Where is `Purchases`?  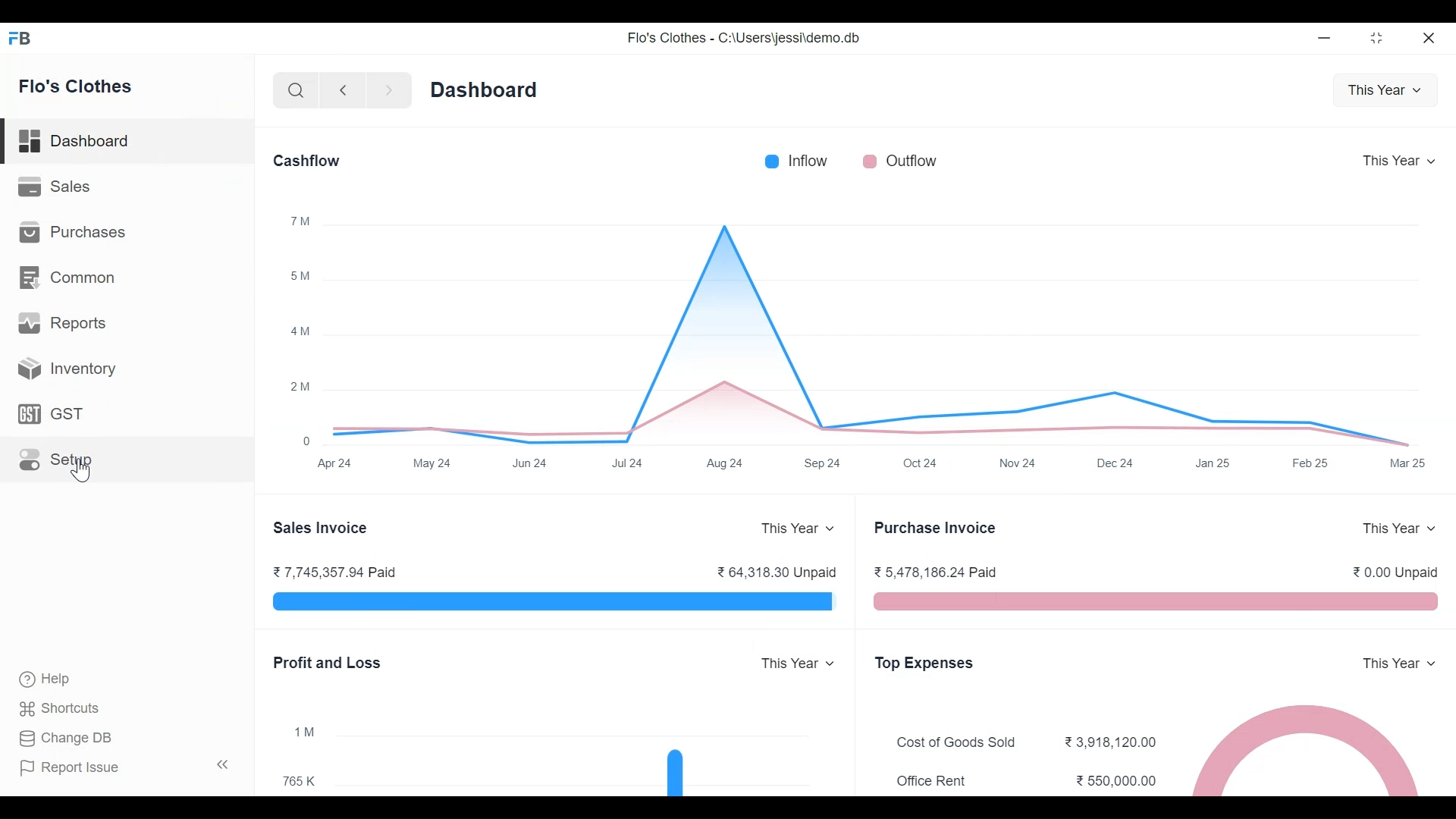 Purchases is located at coordinates (77, 234).